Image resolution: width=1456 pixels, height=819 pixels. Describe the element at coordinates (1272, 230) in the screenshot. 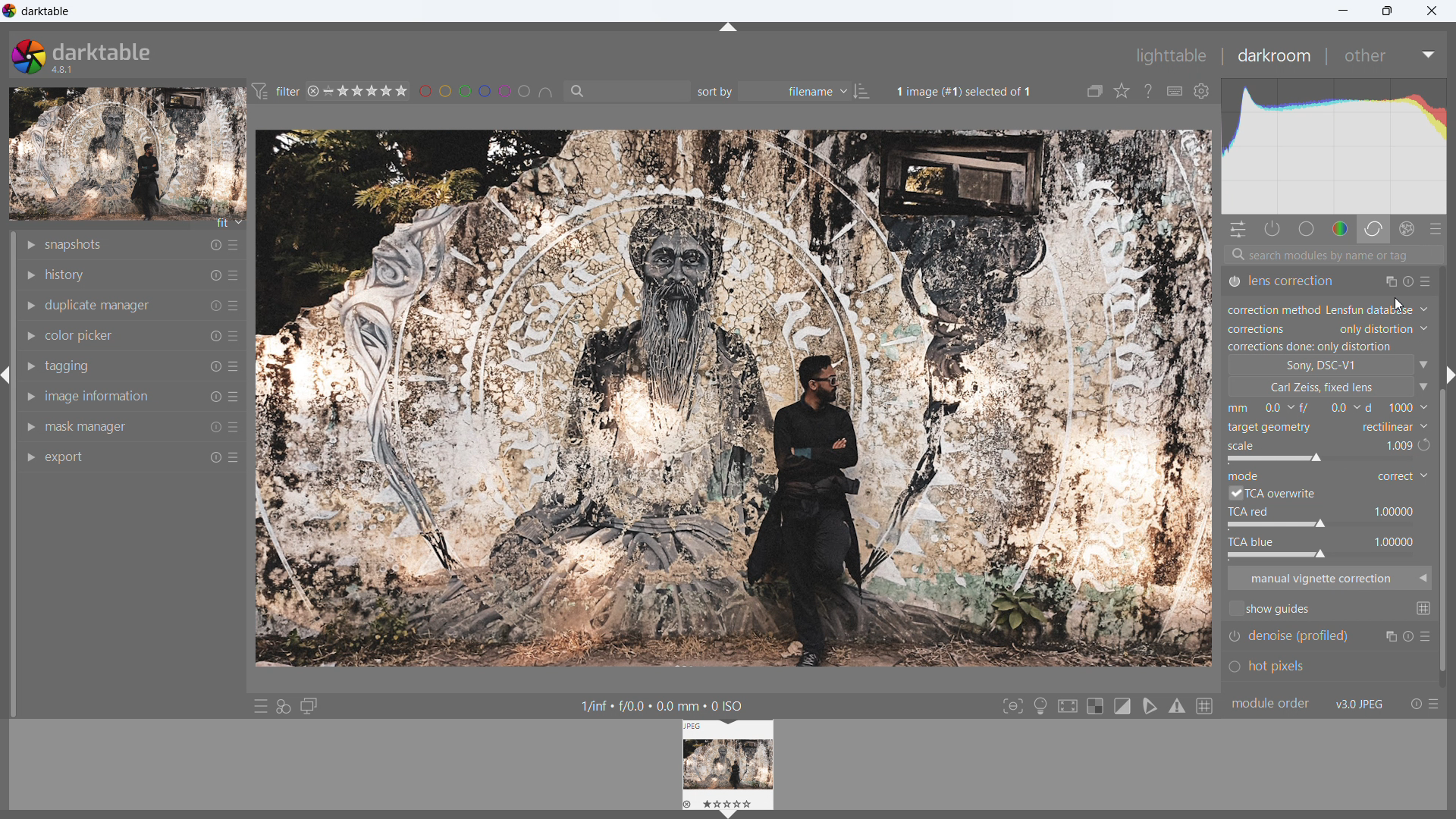

I see `show only active modules` at that location.